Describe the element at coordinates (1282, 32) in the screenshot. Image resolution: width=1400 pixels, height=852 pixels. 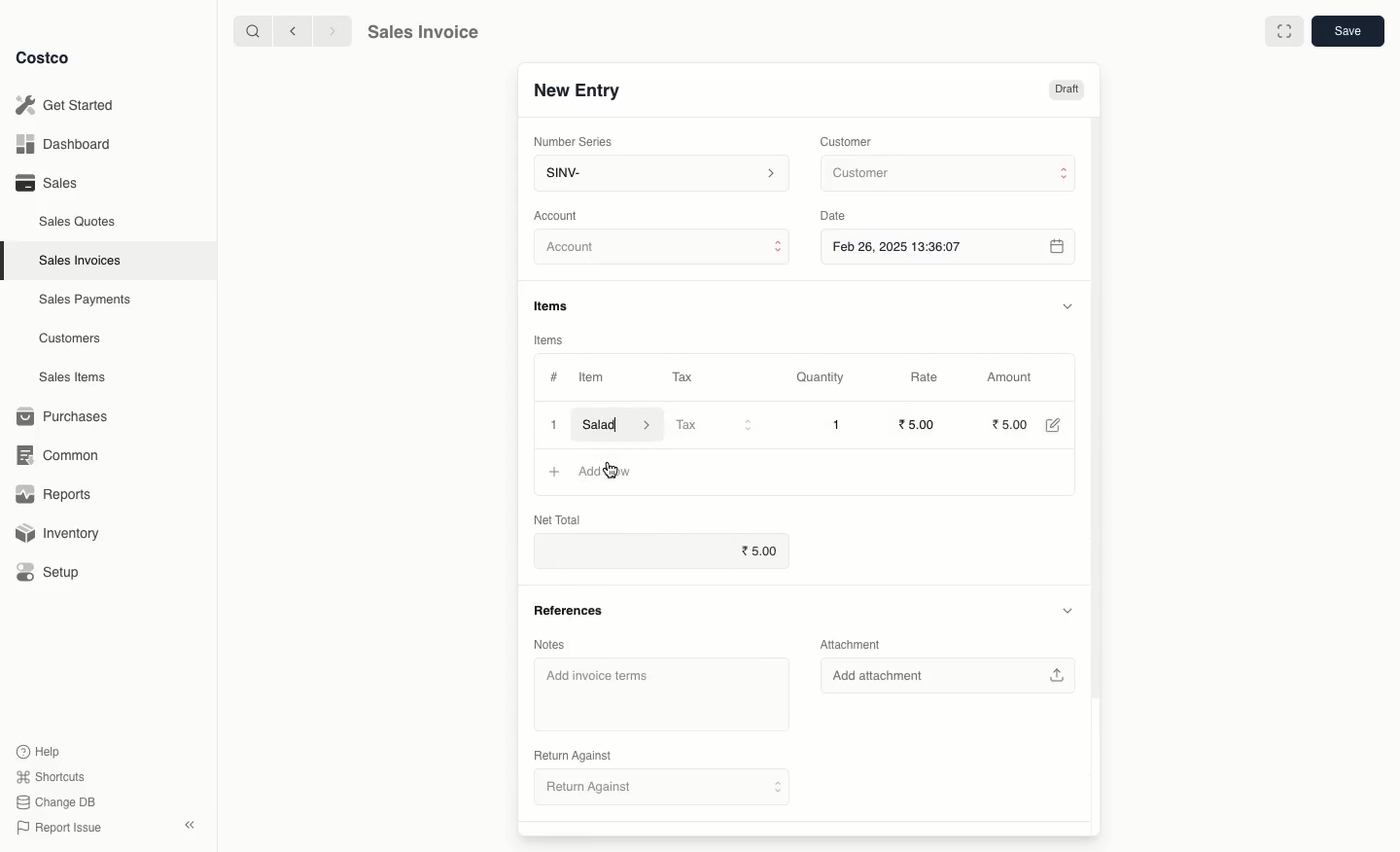
I see `Full width toggle` at that location.